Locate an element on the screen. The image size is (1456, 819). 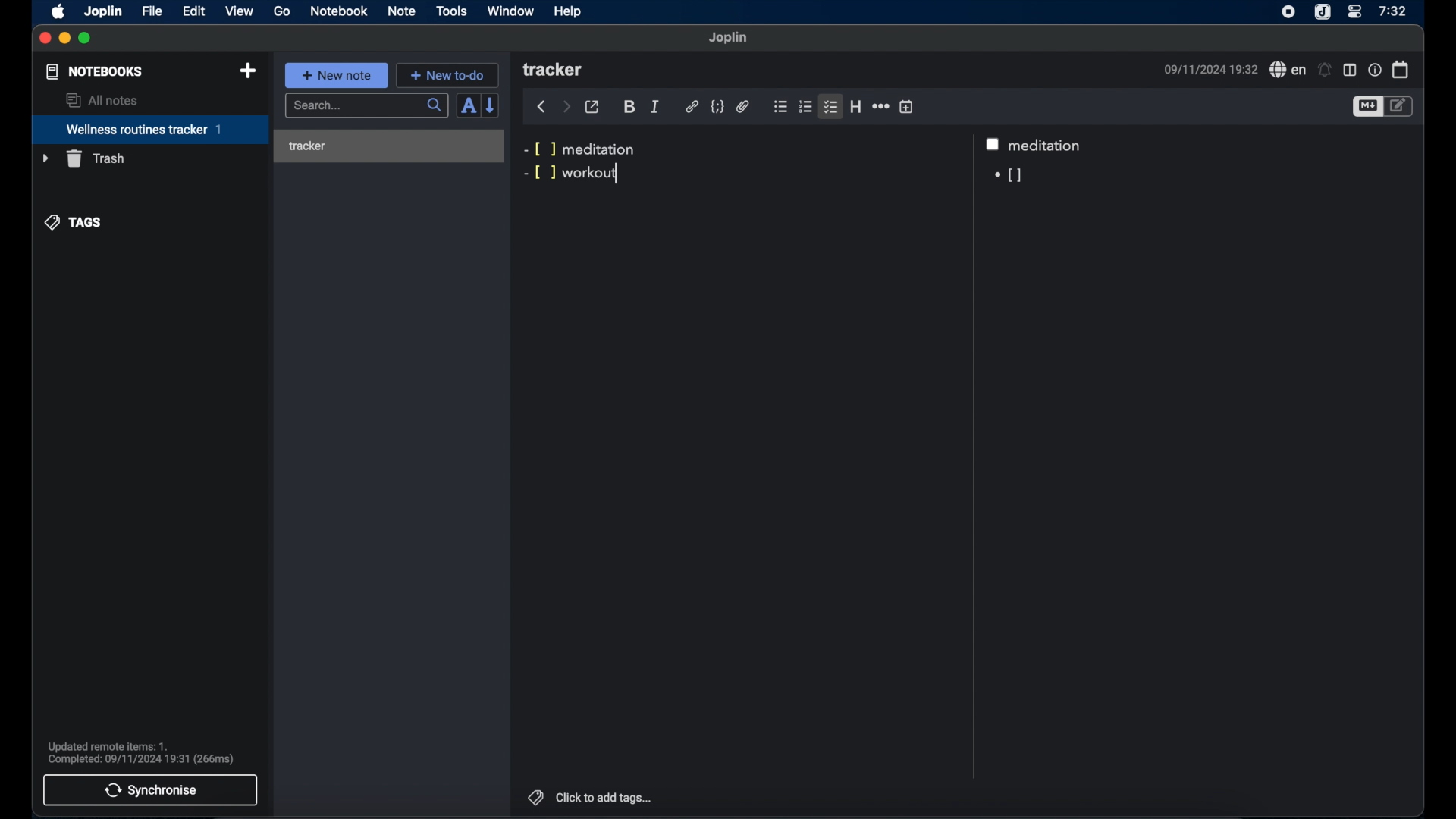
+ new to-do is located at coordinates (447, 74).